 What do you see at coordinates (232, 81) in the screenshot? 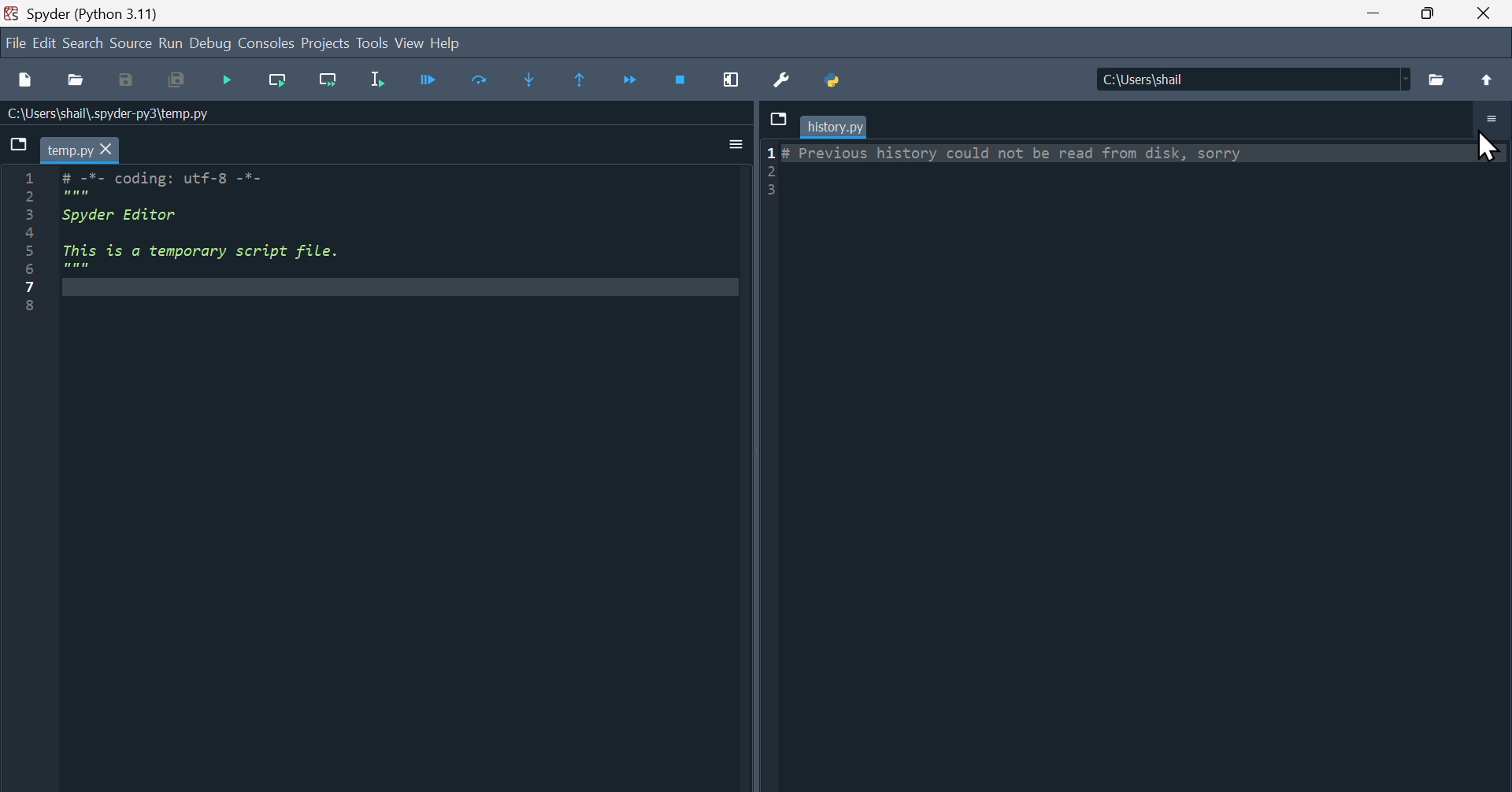
I see `Run ` at bounding box center [232, 81].